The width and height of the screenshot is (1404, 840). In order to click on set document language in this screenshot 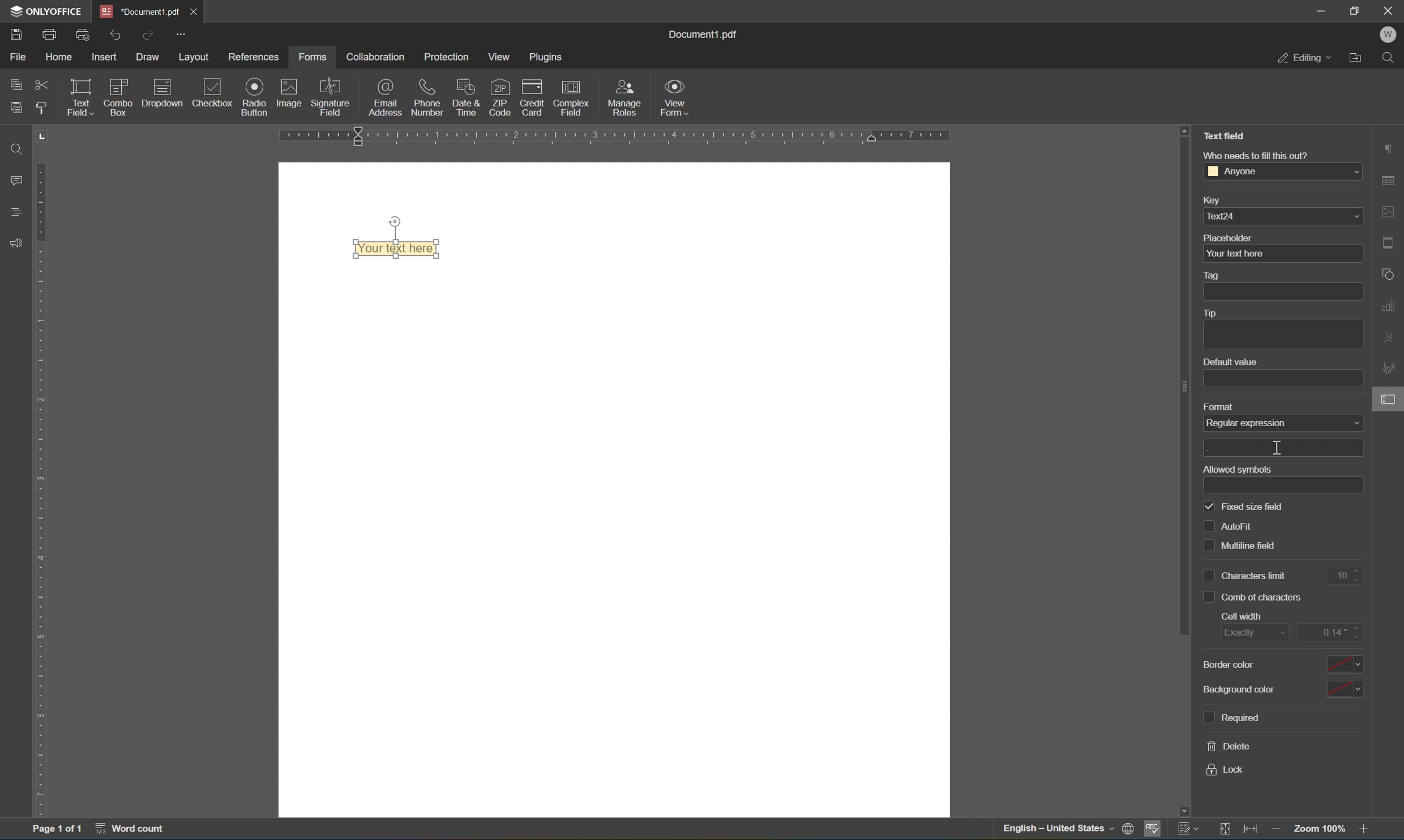, I will do `click(1132, 830)`.